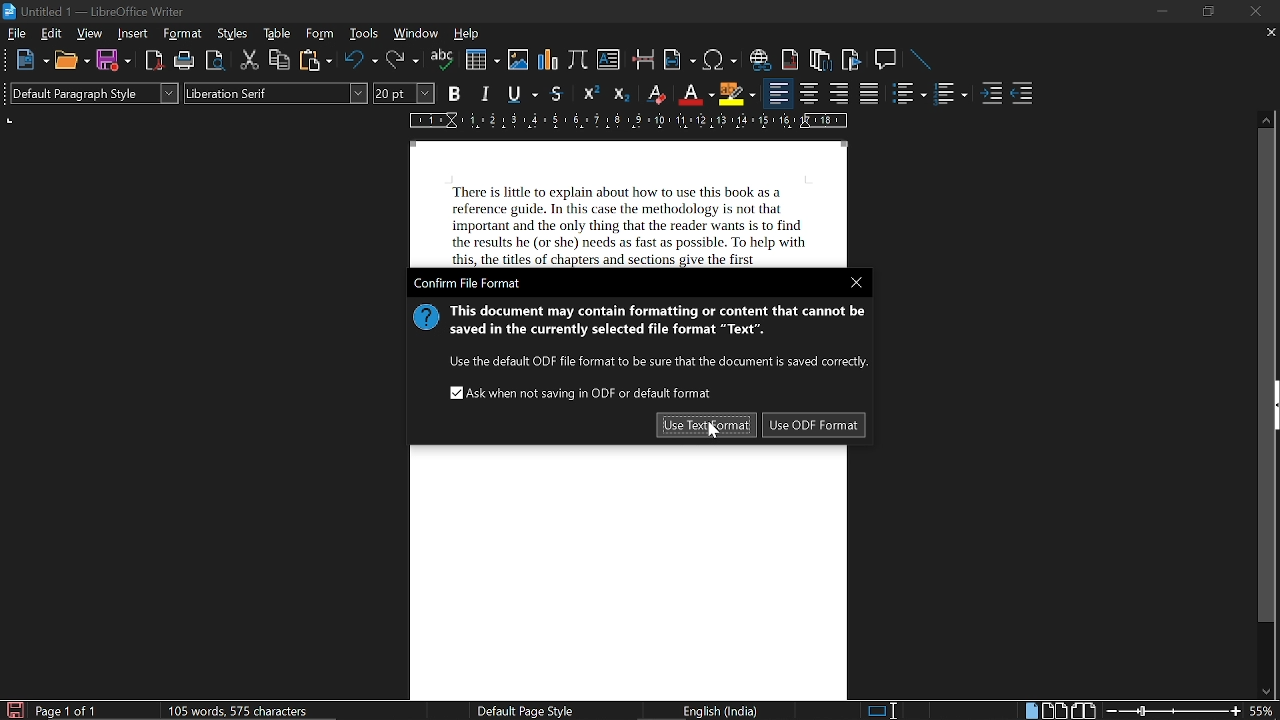 The width and height of the screenshot is (1280, 720). Describe the element at coordinates (361, 61) in the screenshot. I see `undo` at that location.